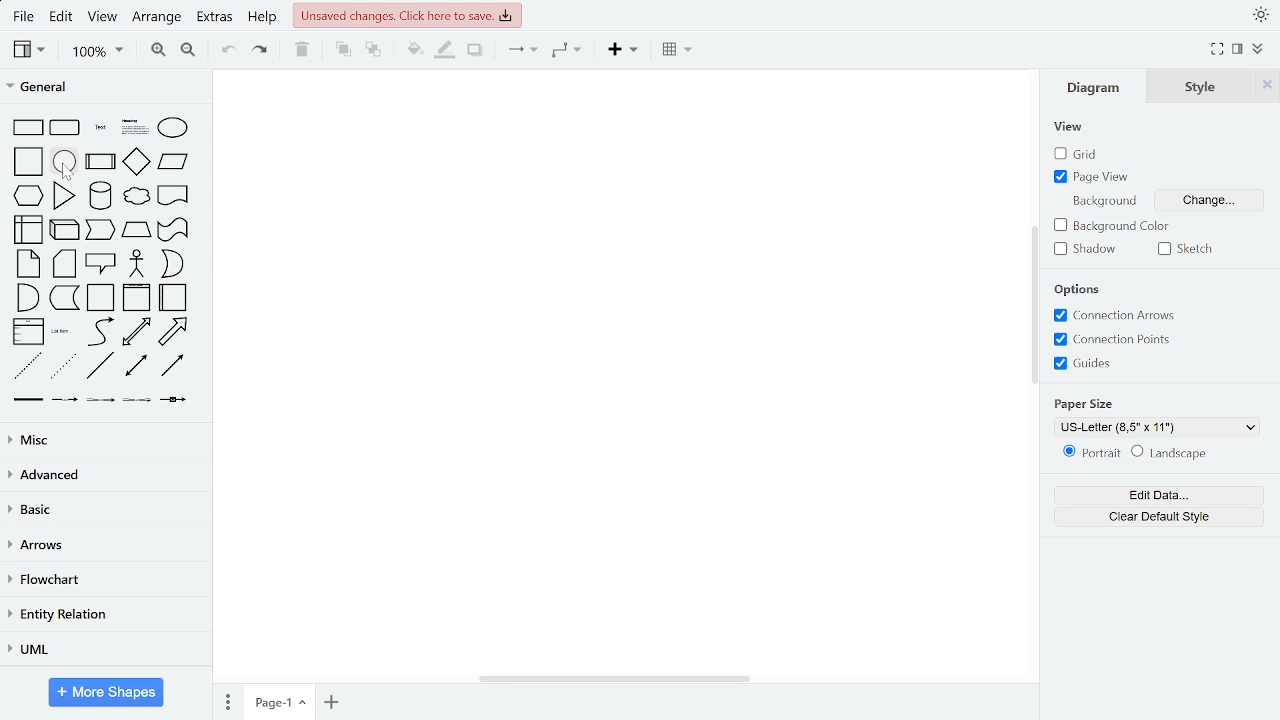 The height and width of the screenshot is (720, 1280). What do you see at coordinates (1152, 496) in the screenshot?
I see `edit data` at bounding box center [1152, 496].